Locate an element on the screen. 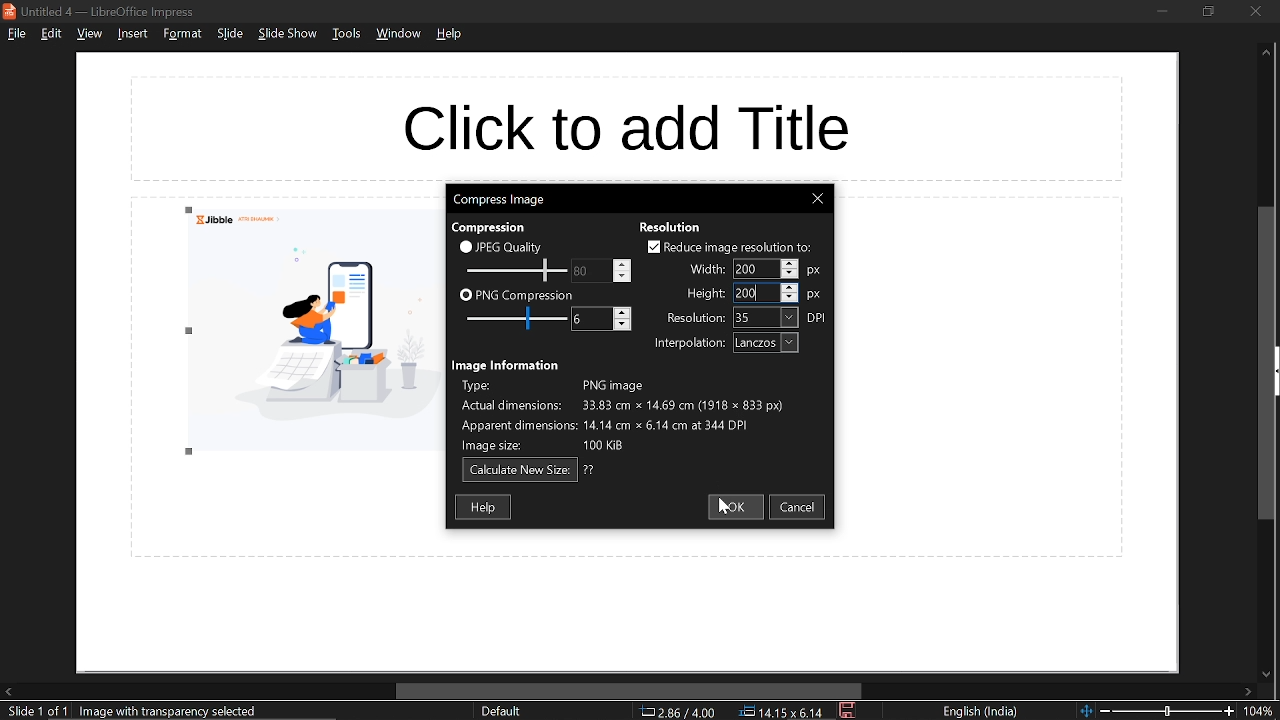 This screenshot has width=1280, height=720. current zoom is located at coordinates (1262, 712).